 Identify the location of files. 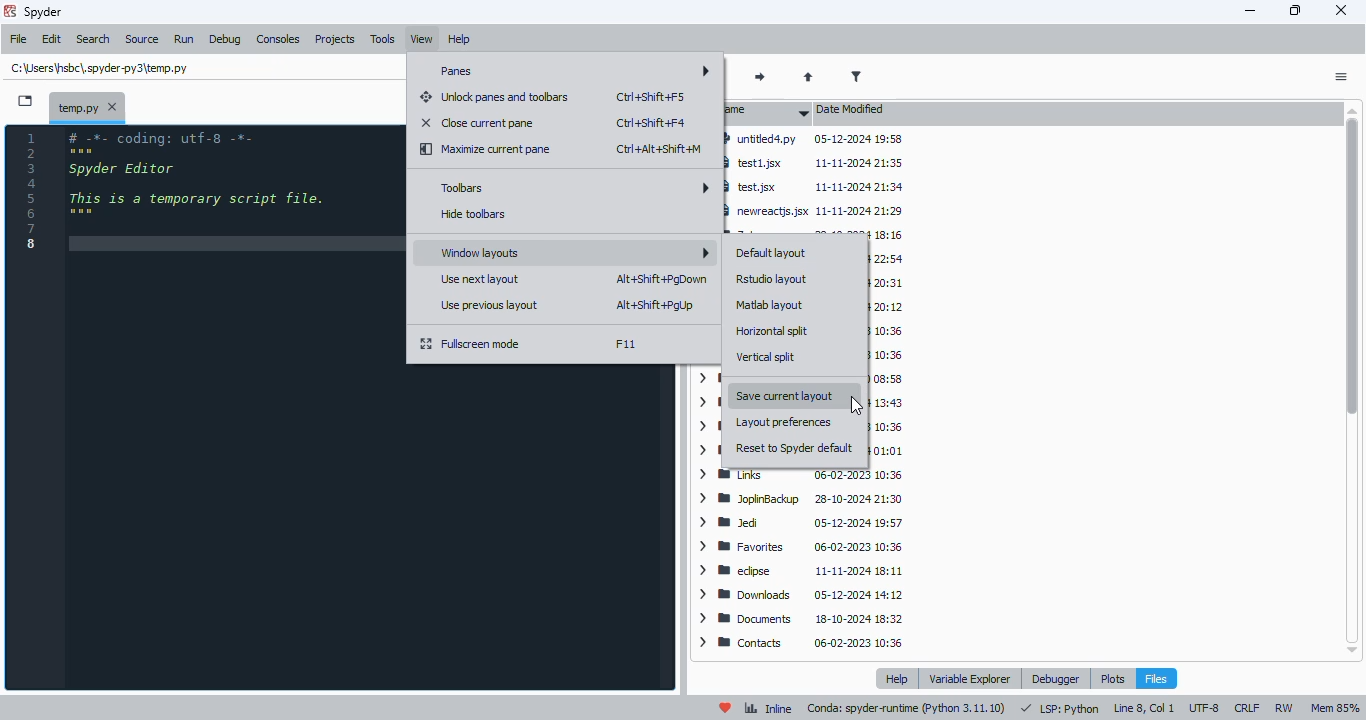
(1156, 678).